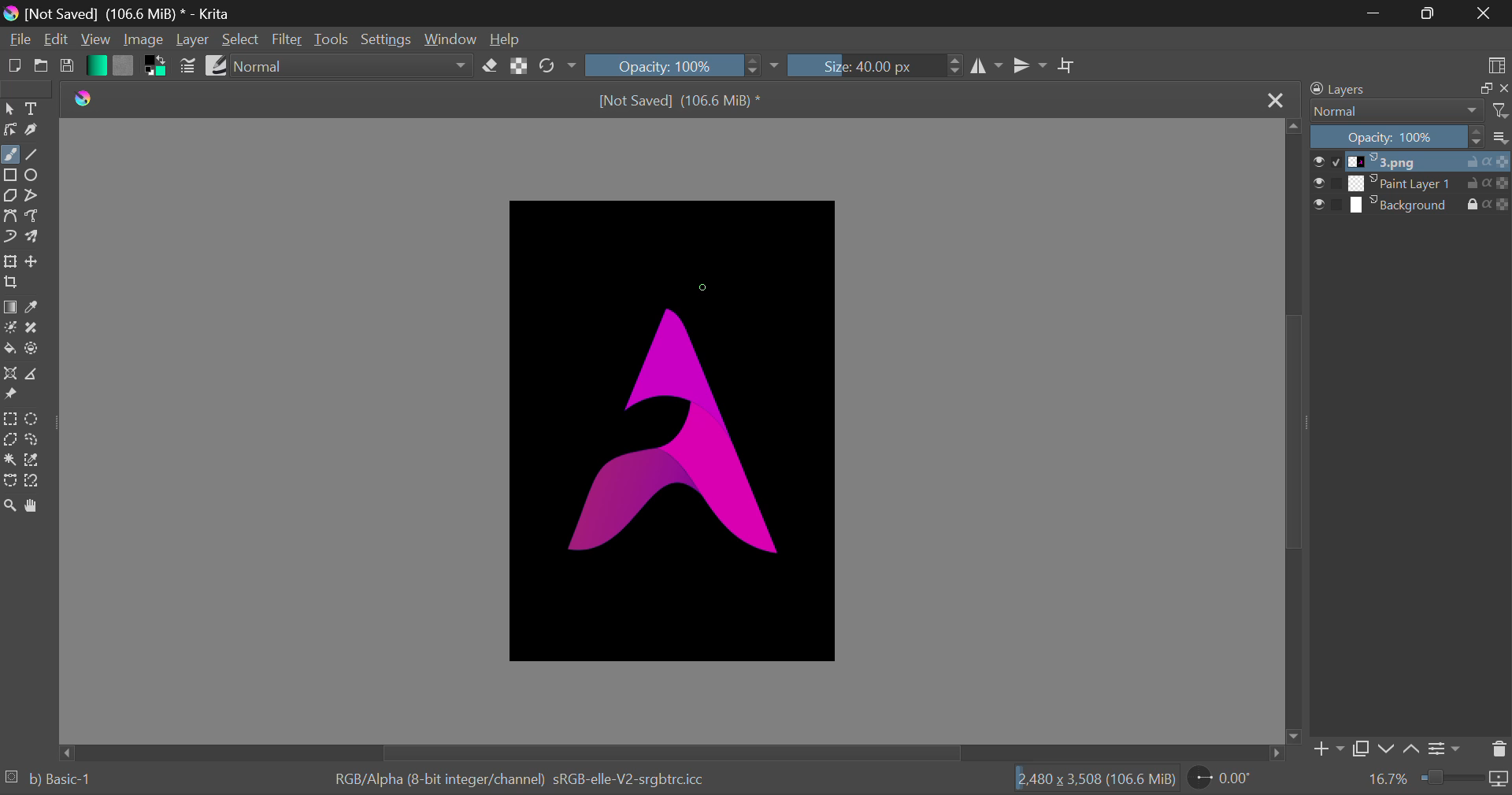 The width and height of the screenshot is (1512, 795). Describe the element at coordinates (17, 40) in the screenshot. I see `File` at that location.